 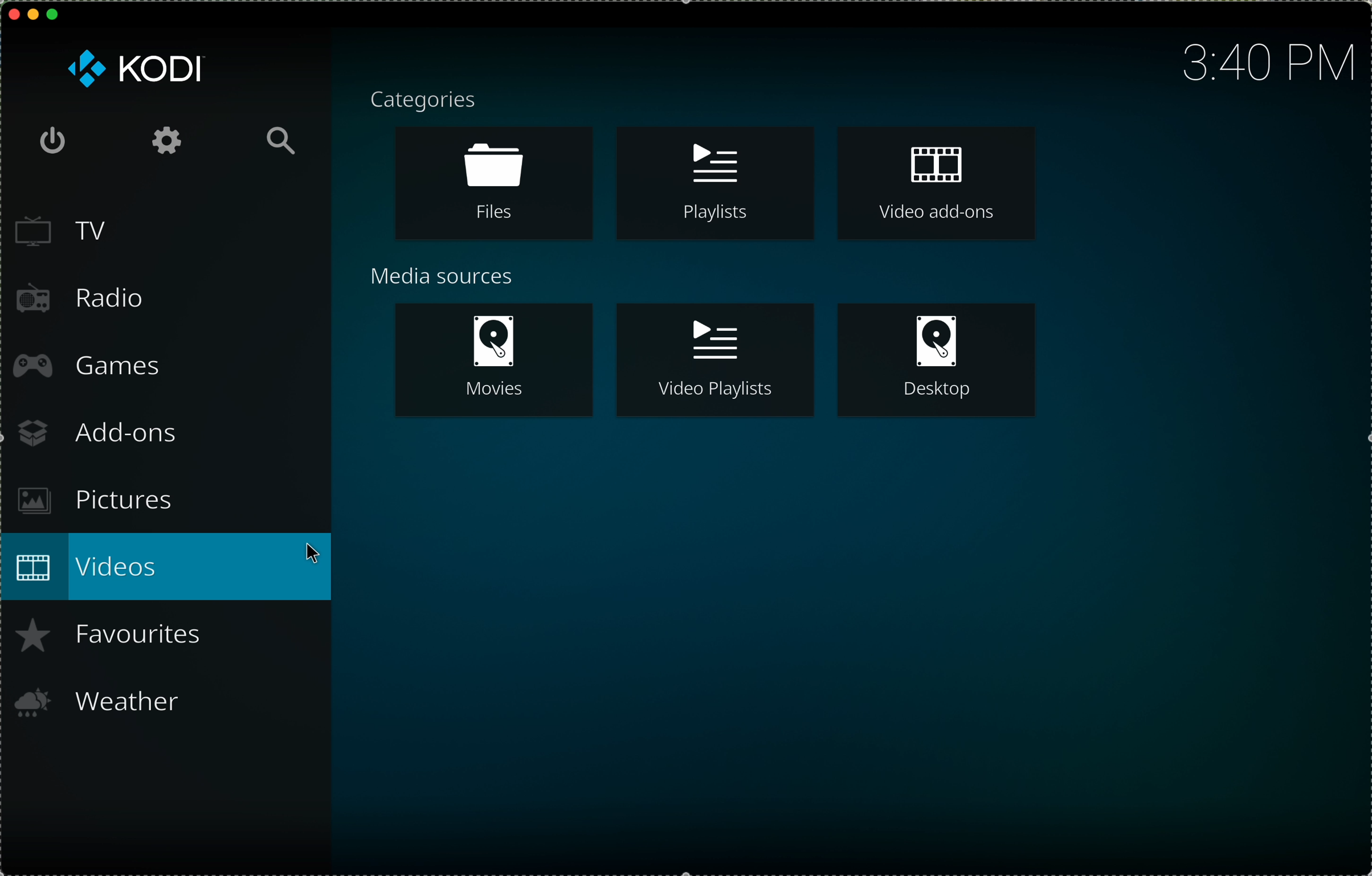 What do you see at coordinates (53, 141) in the screenshot?
I see `shut down` at bounding box center [53, 141].